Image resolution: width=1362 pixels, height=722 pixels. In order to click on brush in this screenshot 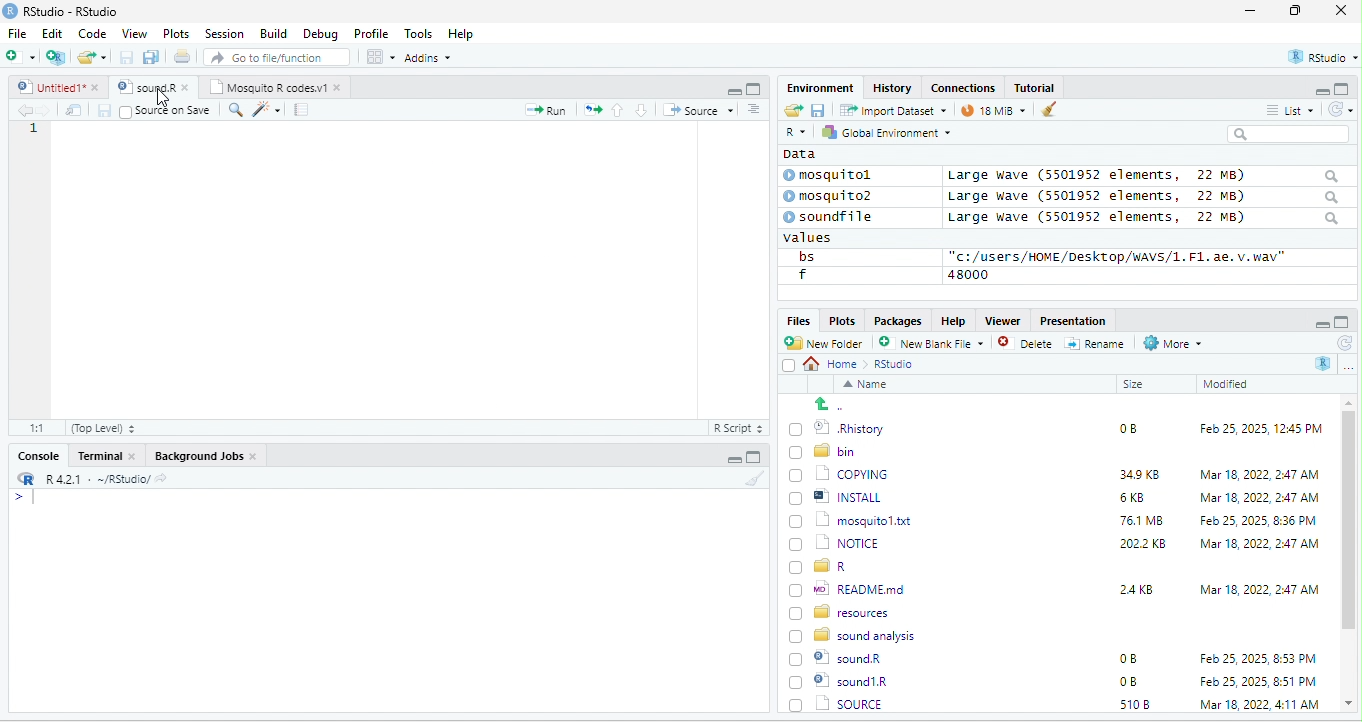, I will do `click(757, 479)`.